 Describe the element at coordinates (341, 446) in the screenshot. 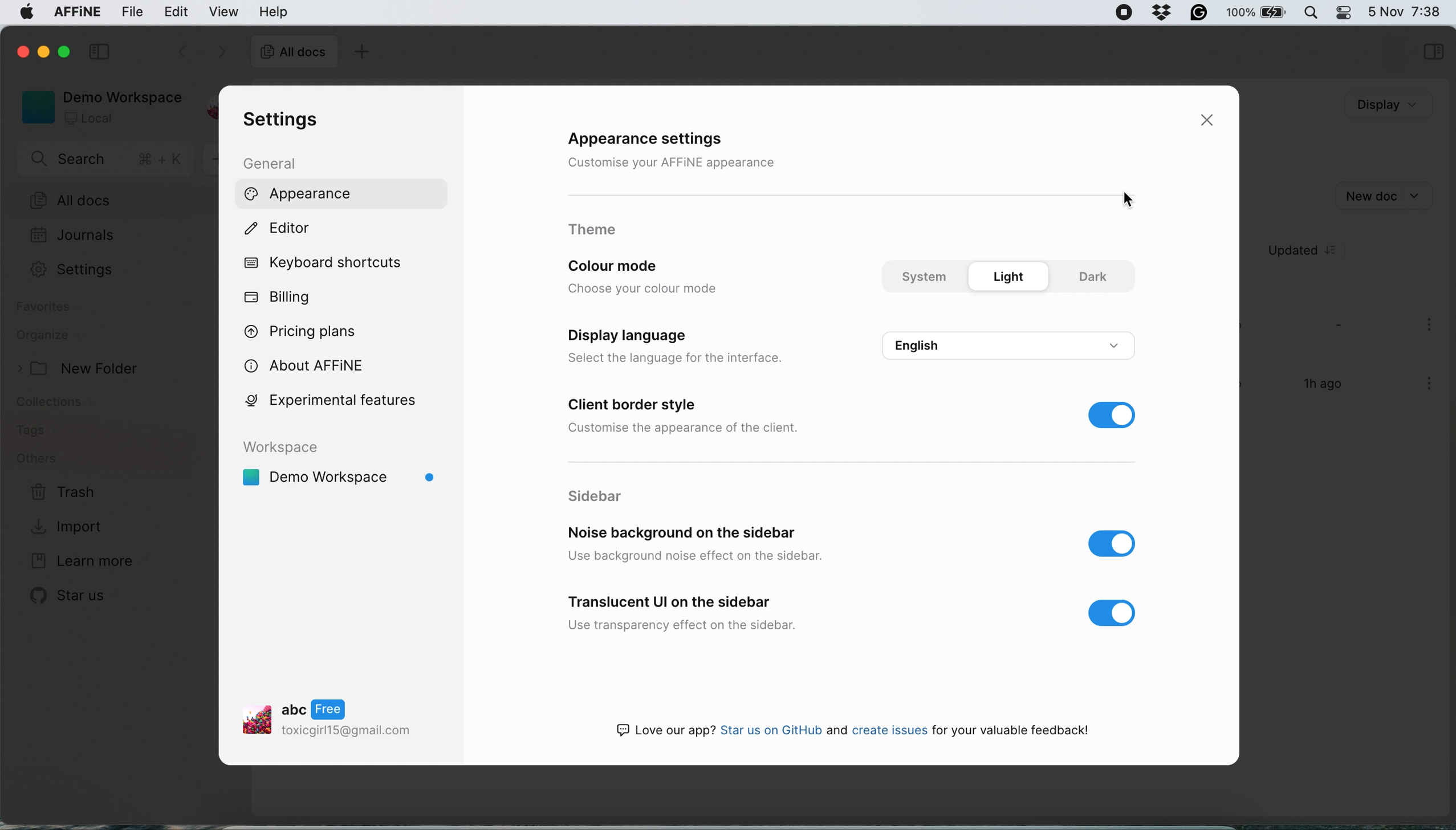

I see `workspace` at that location.